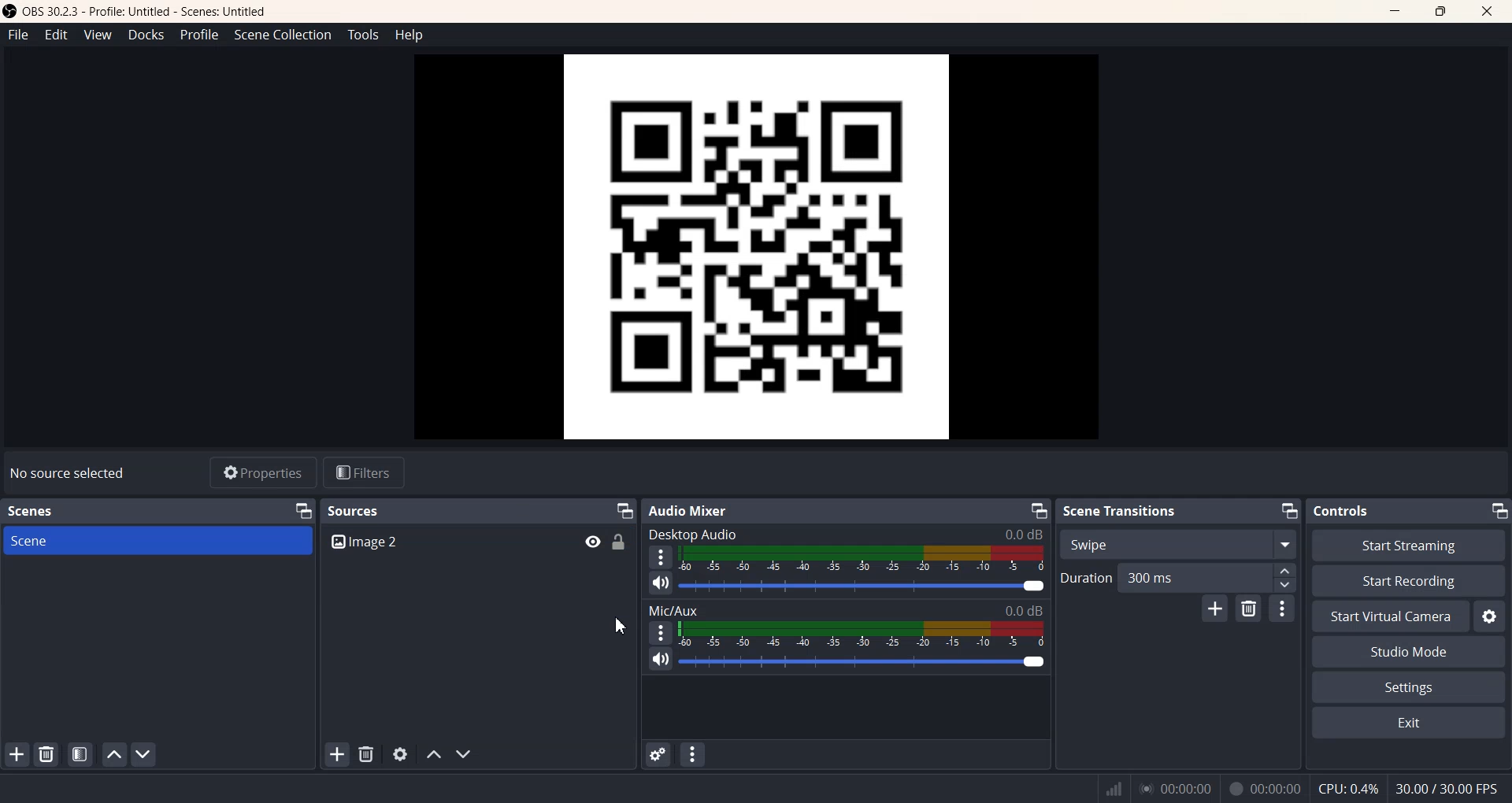  I want to click on Minimize, so click(1495, 509).